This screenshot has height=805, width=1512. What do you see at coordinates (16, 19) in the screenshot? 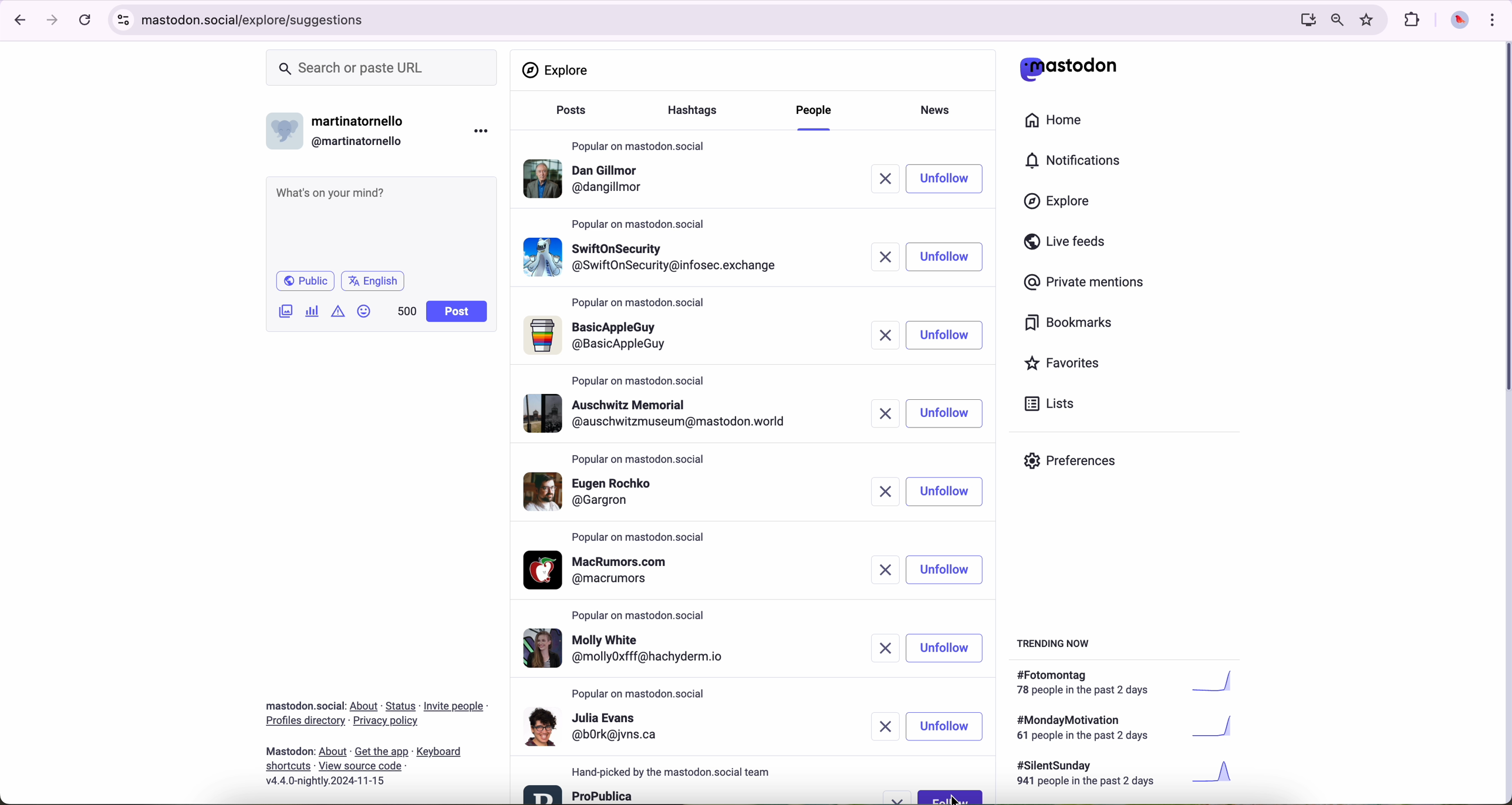
I see `navigate back` at bounding box center [16, 19].